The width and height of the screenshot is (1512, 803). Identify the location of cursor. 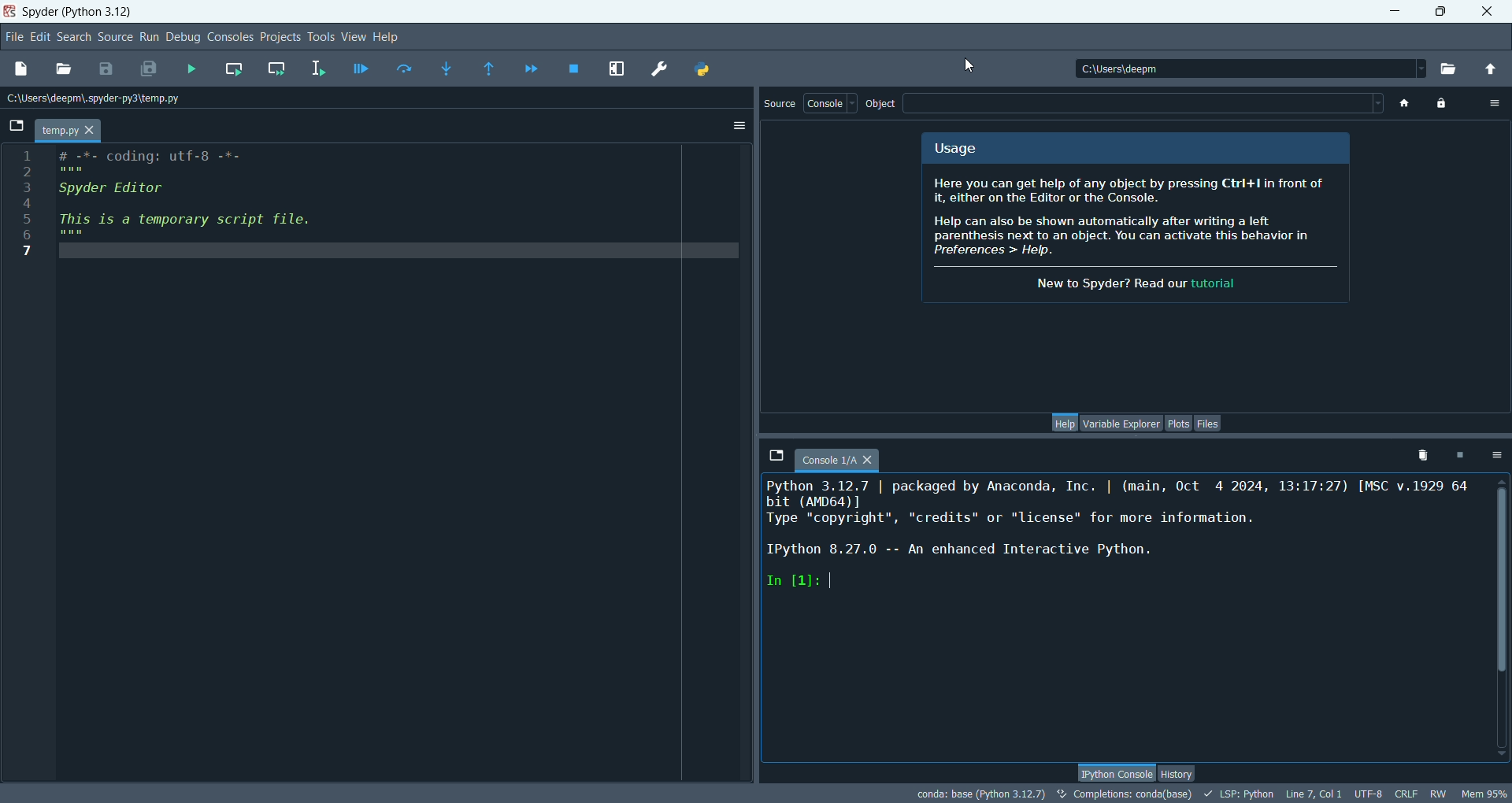
(973, 66).